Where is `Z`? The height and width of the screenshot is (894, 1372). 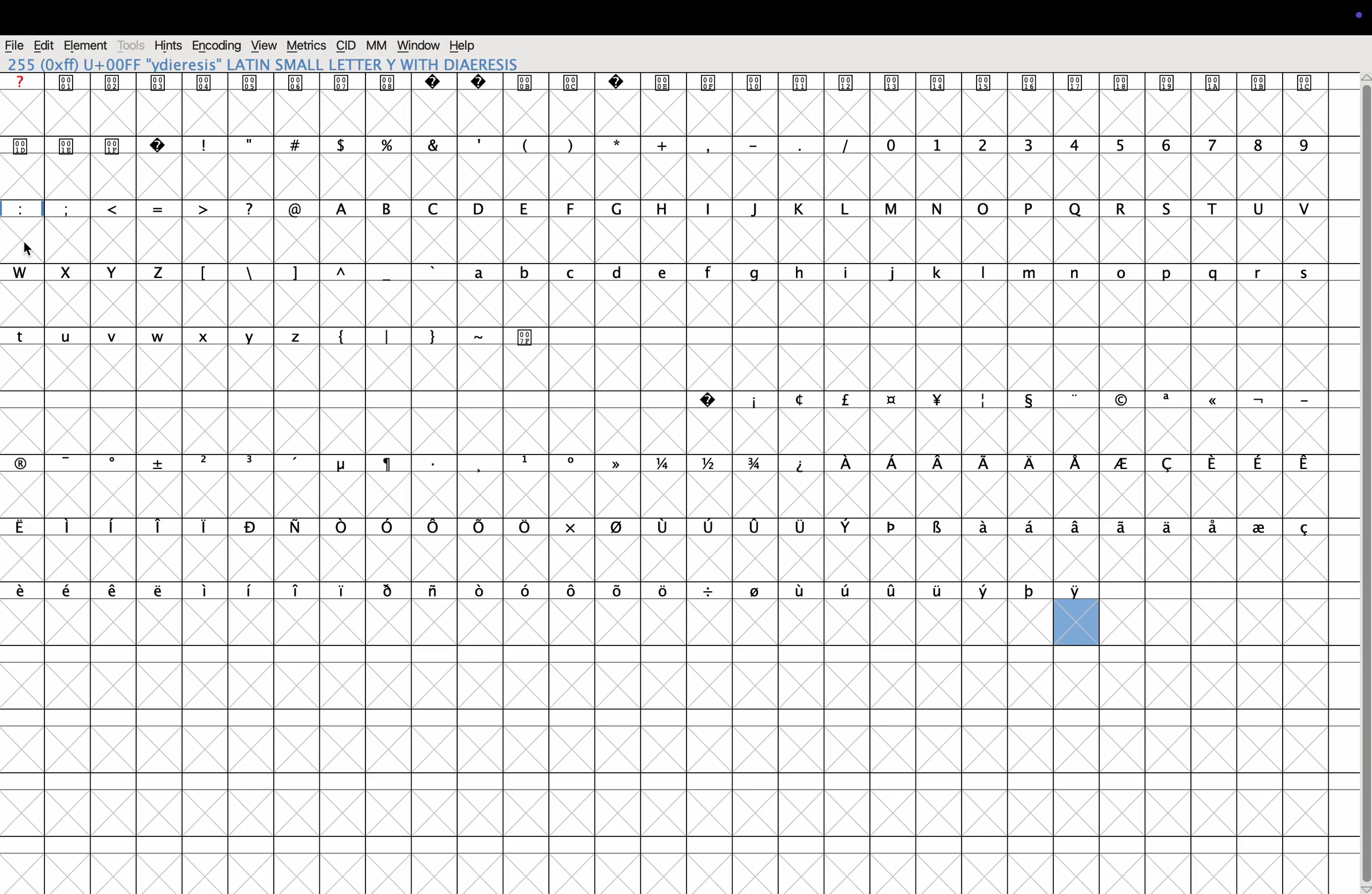
Z is located at coordinates (161, 292).